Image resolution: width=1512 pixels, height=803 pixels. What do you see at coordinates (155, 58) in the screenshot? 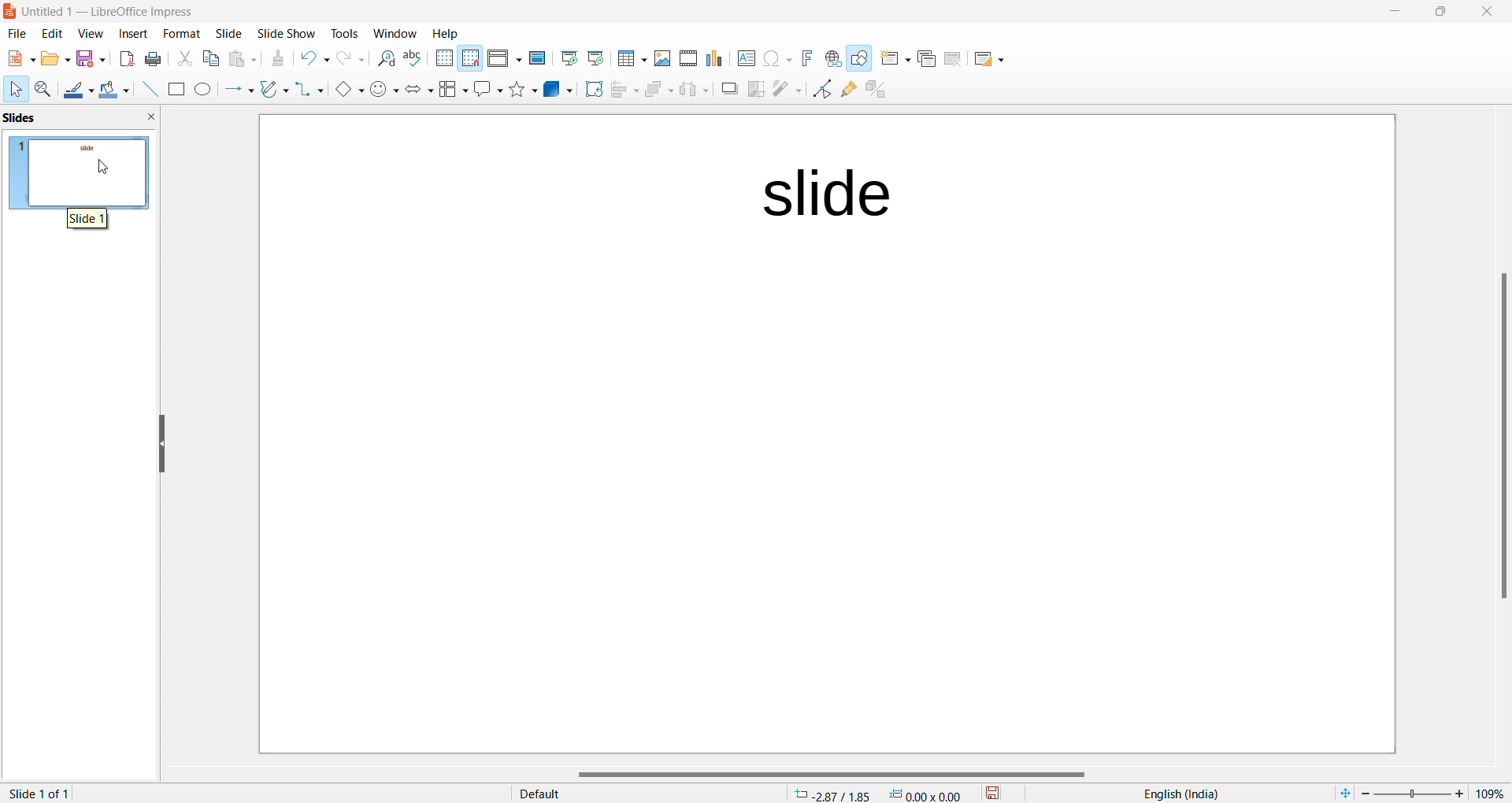
I see `Print` at bounding box center [155, 58].